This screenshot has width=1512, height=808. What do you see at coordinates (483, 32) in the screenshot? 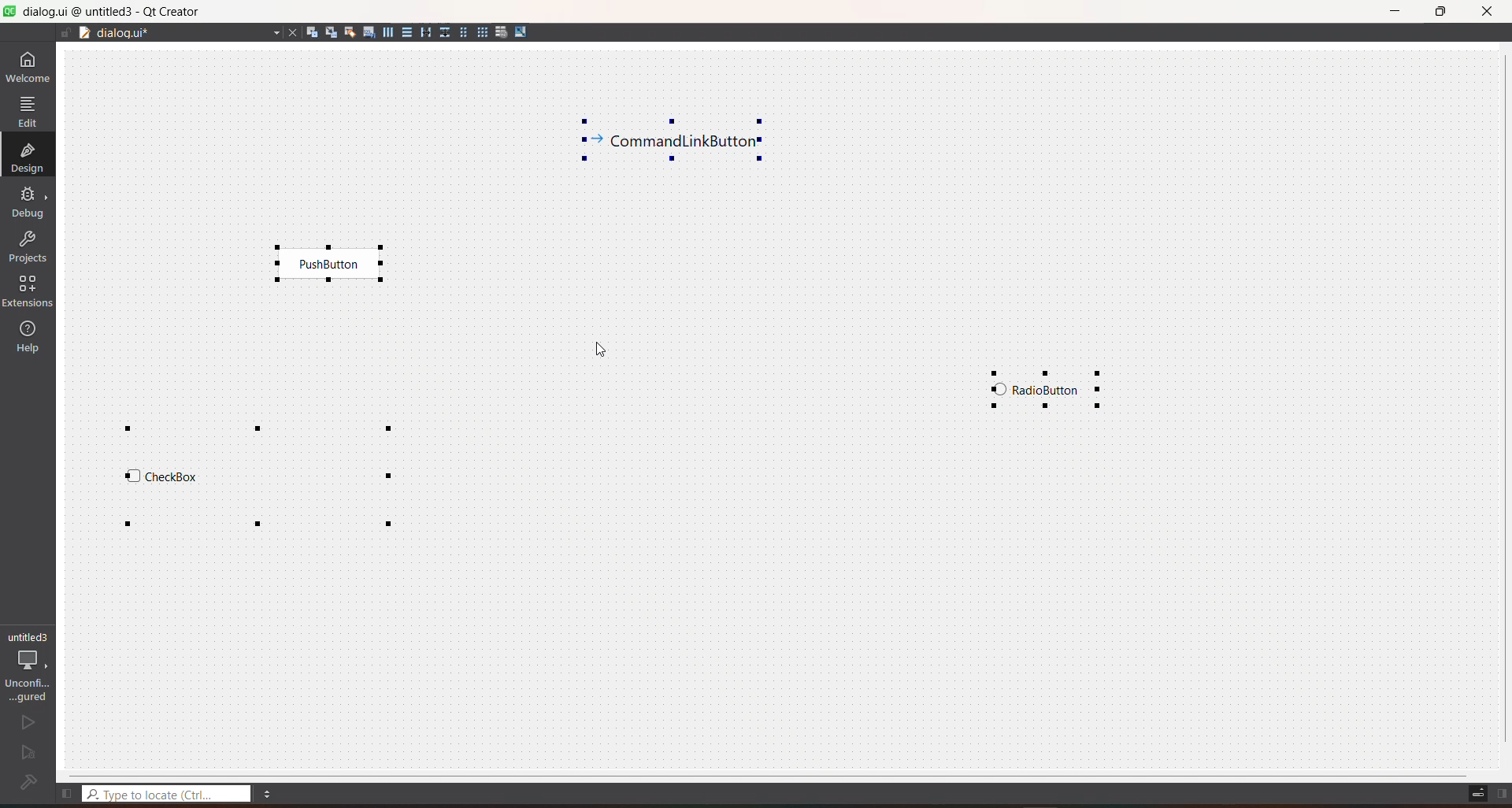
I see `layout in a grid` at bounding box center [483, 32].